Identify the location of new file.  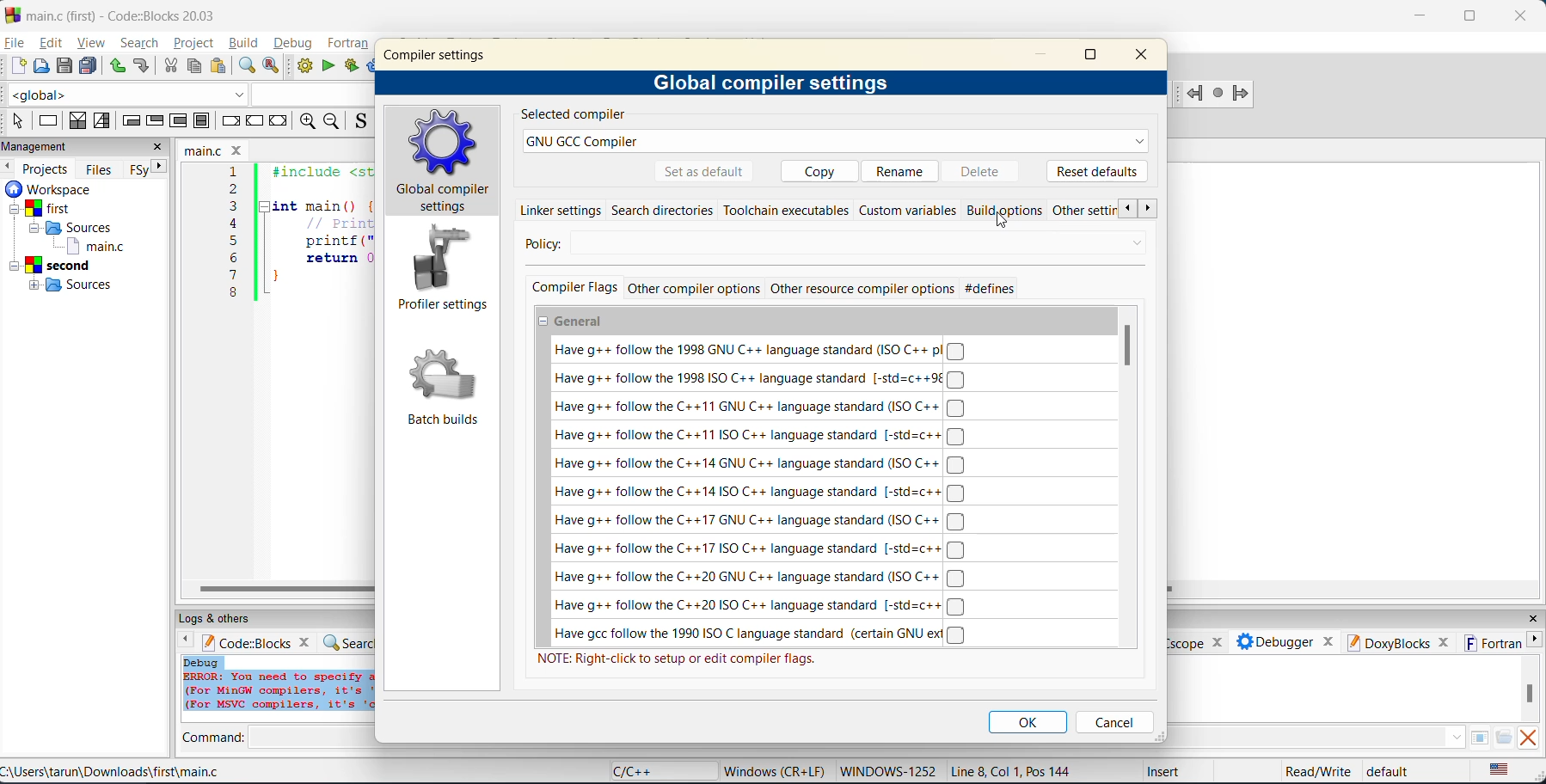
(20, 67).